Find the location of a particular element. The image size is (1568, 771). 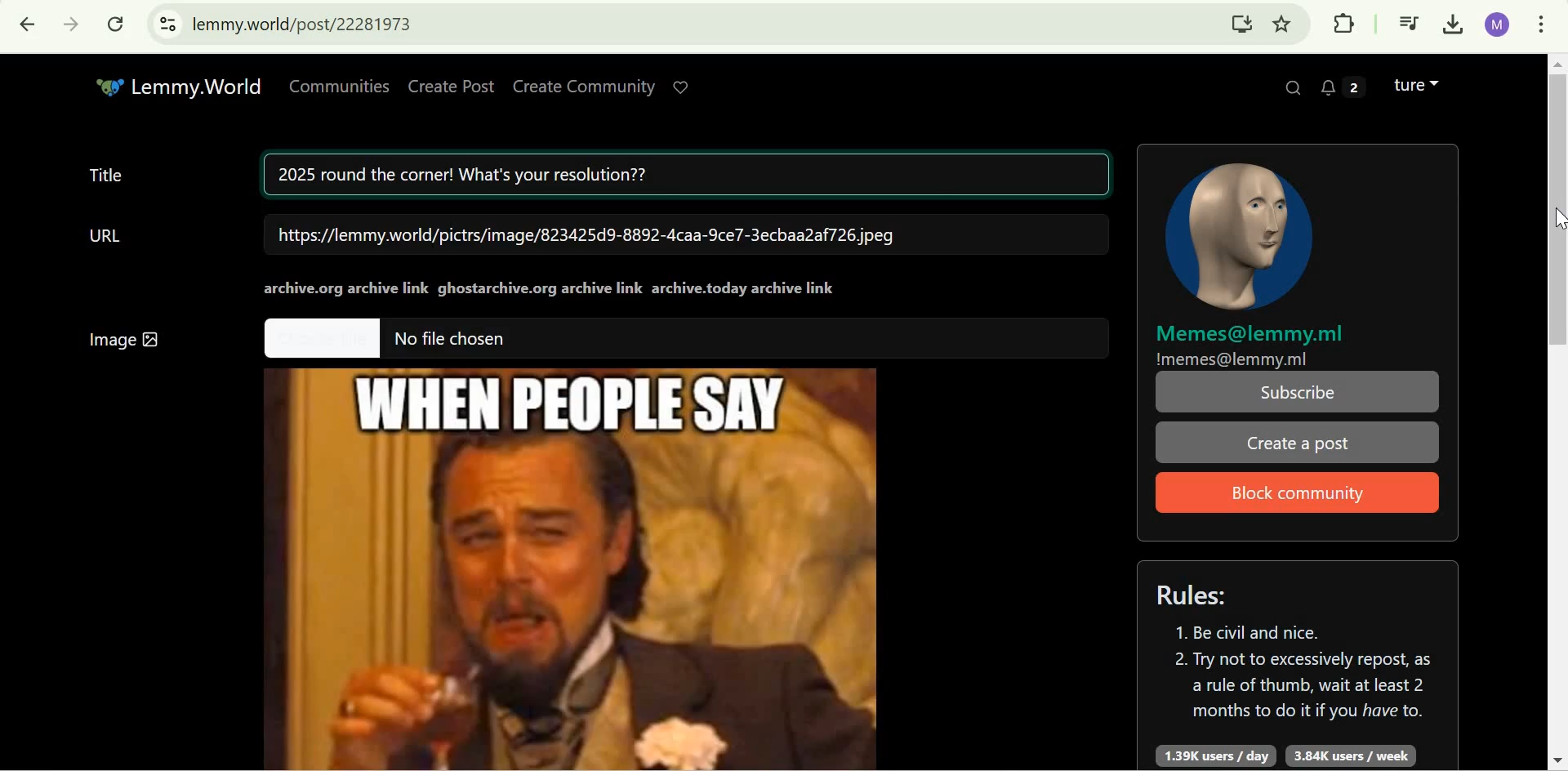

Search is located at coordinates (1294, 86).